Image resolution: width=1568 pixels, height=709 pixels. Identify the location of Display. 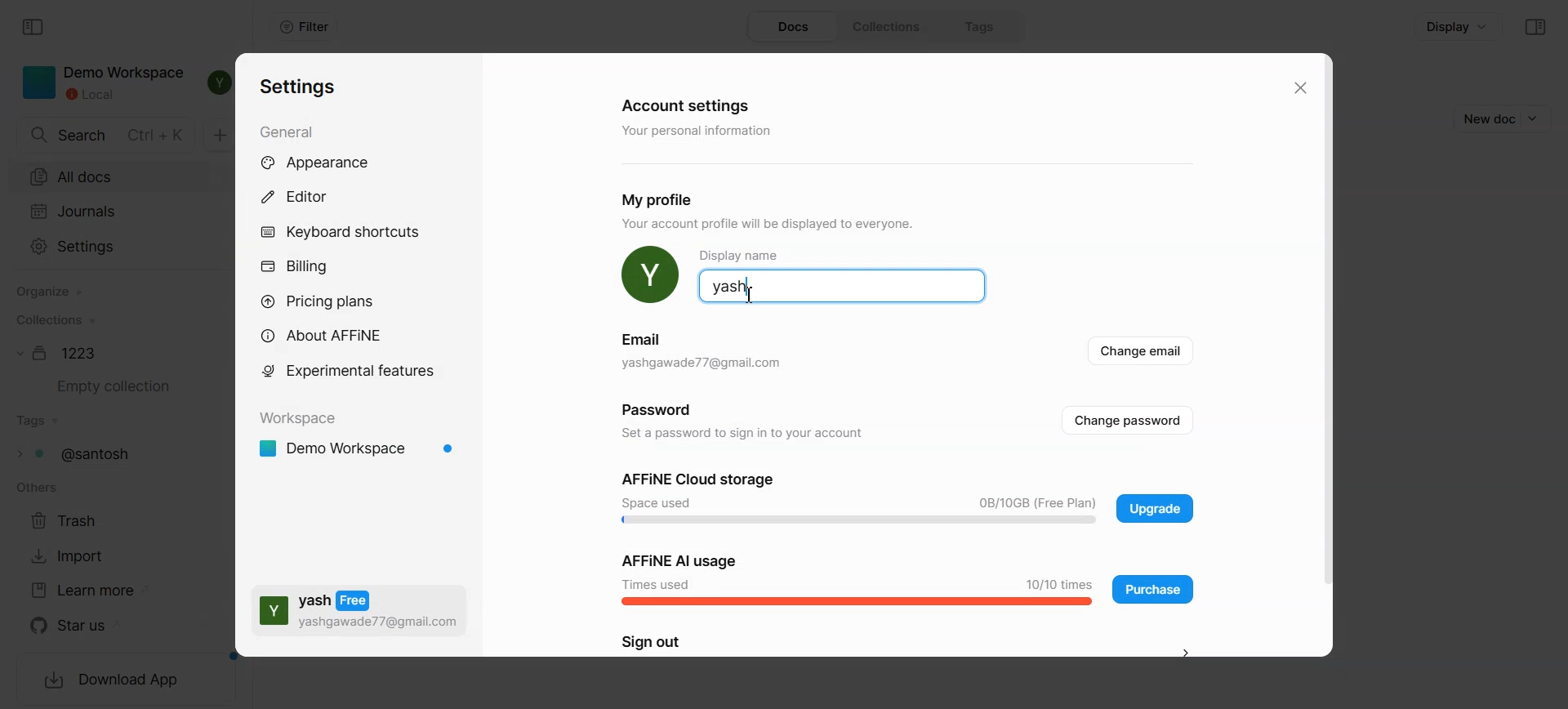
(1458, 25).